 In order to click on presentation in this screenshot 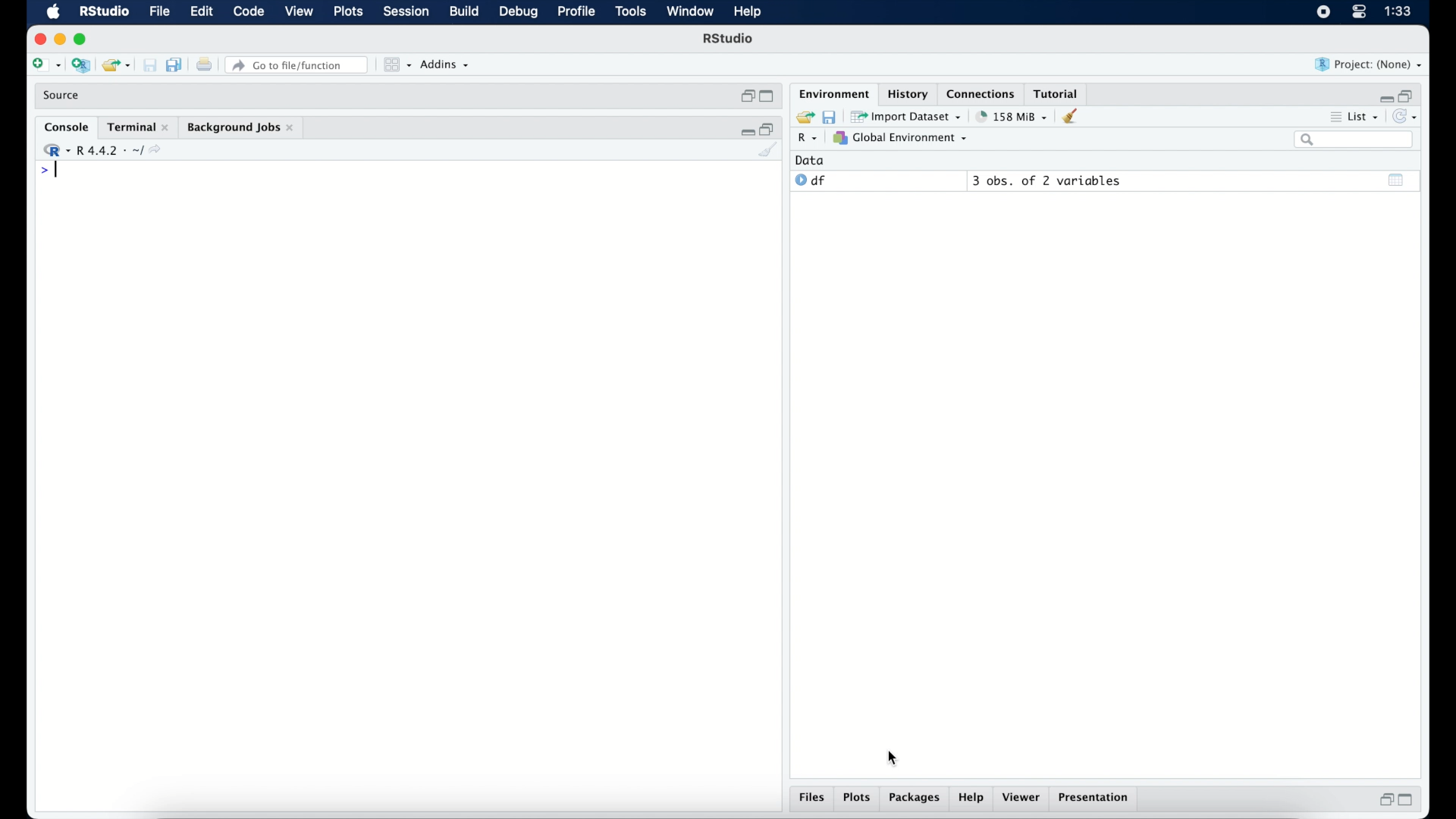, I will do `click(1096, 799)`.